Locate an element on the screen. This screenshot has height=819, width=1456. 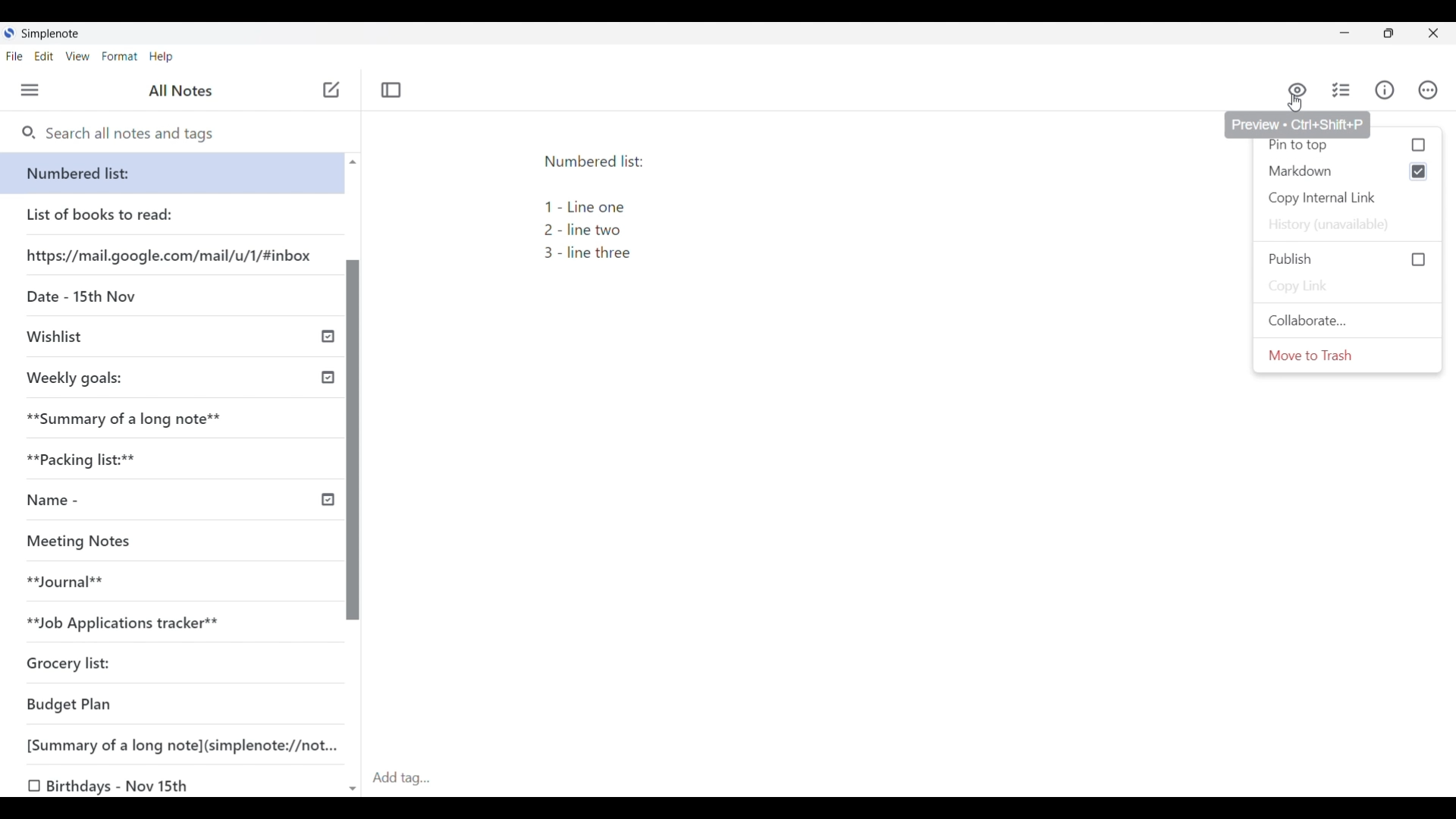
[Summary of a long note] (simplenote://not... is located at coordinates (171, 743).